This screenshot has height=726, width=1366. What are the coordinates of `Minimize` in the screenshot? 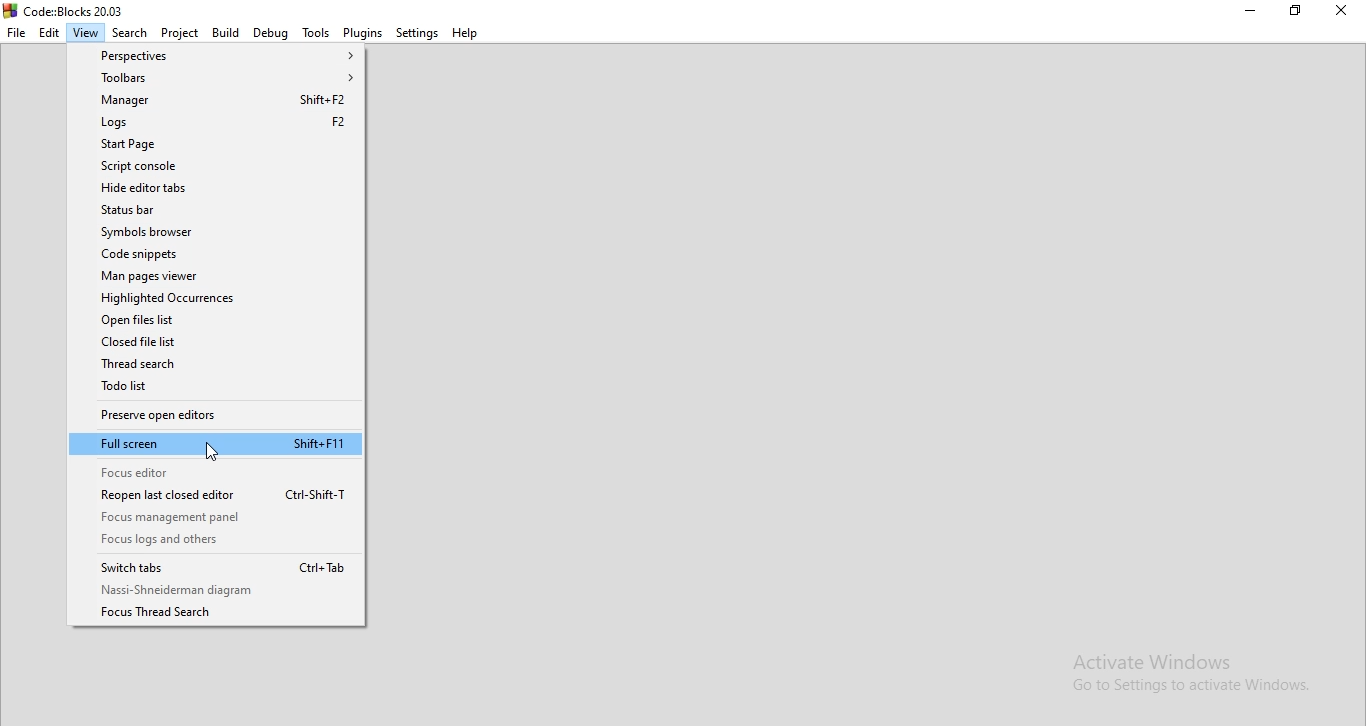 It's located at (1249, 13).